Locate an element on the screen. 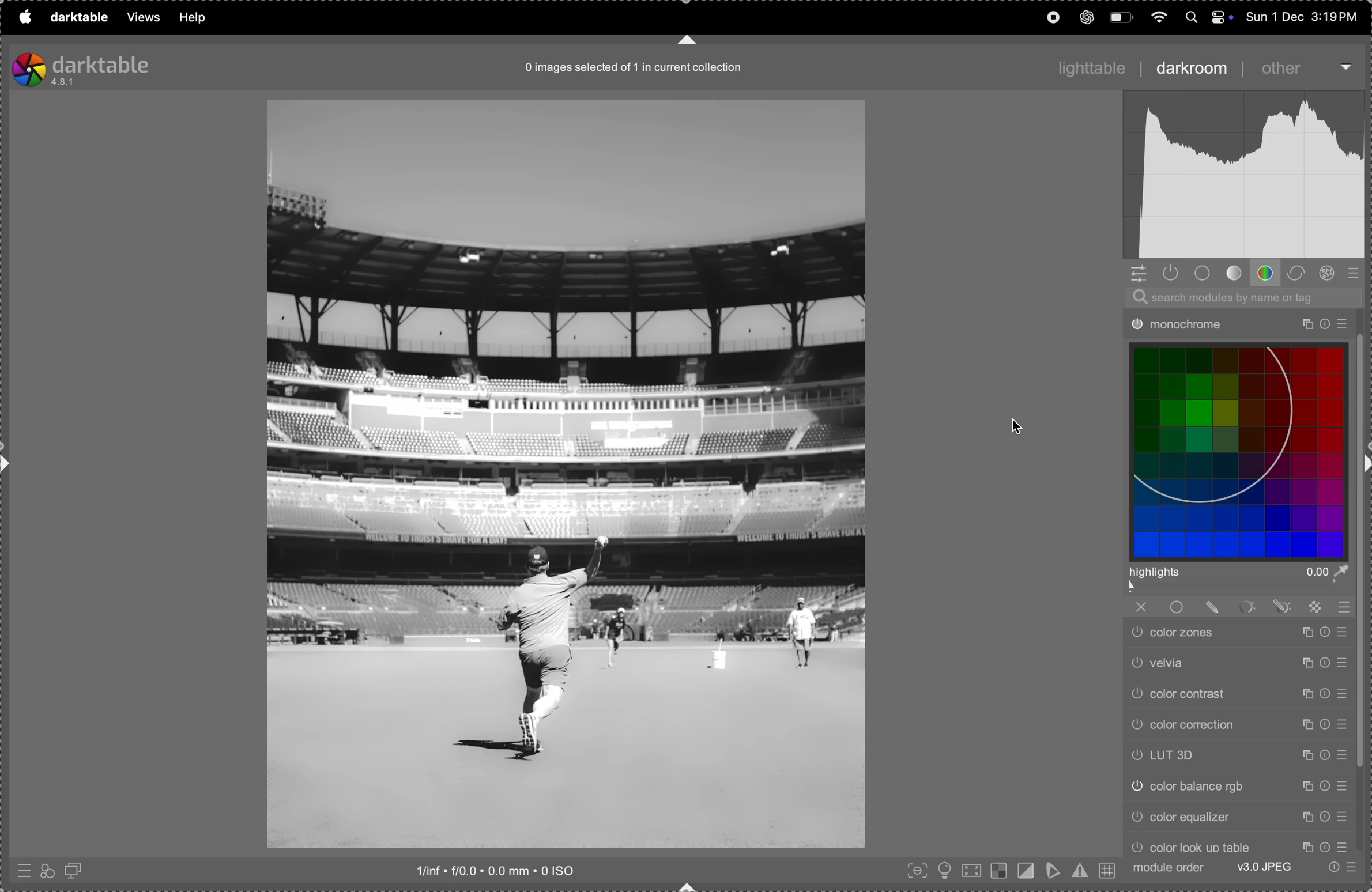 The image size is (1372, 892). darktable is located at coordinates (82, 66).